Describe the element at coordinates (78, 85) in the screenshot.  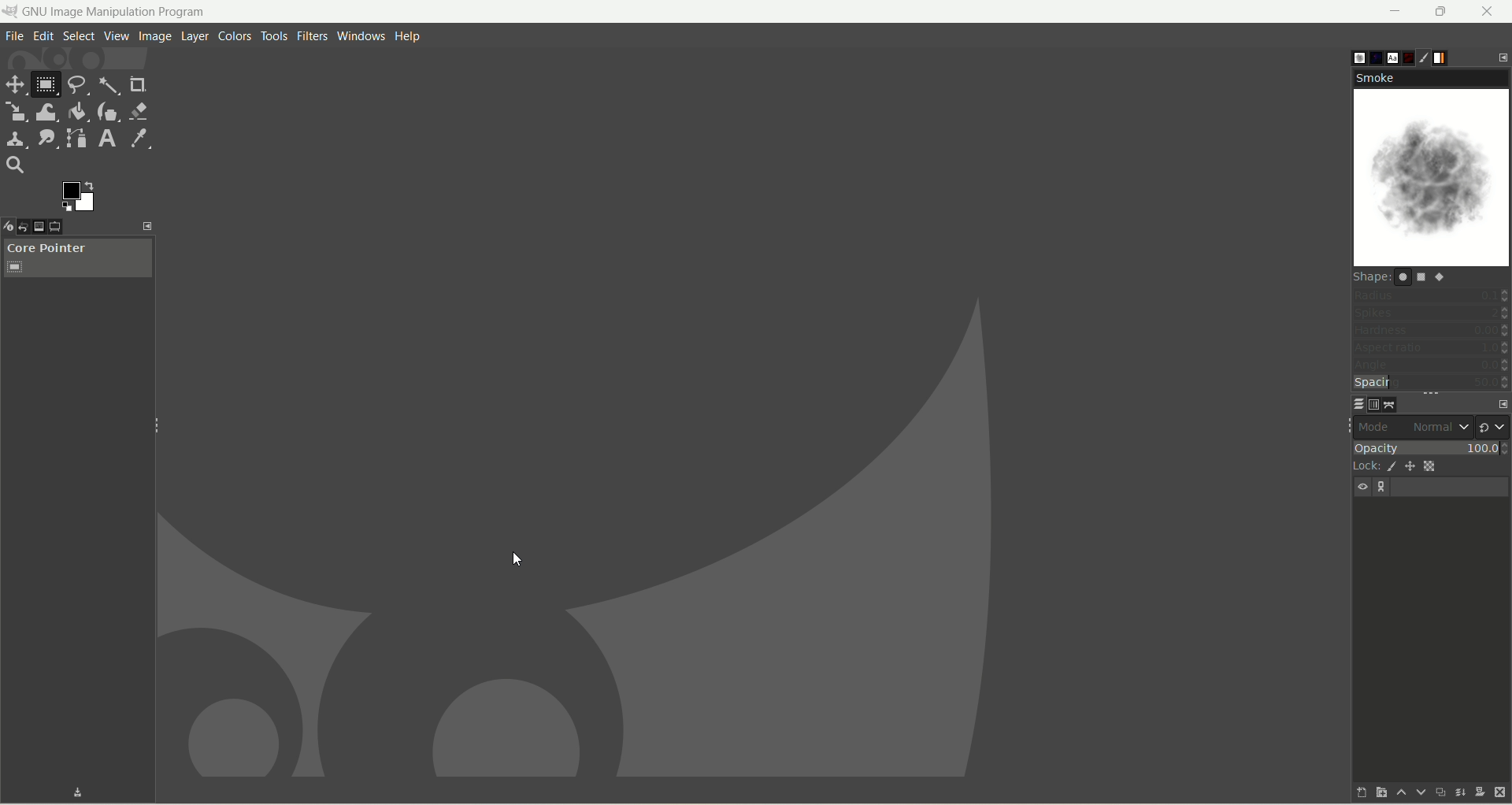
I see `free select tool` at that location.